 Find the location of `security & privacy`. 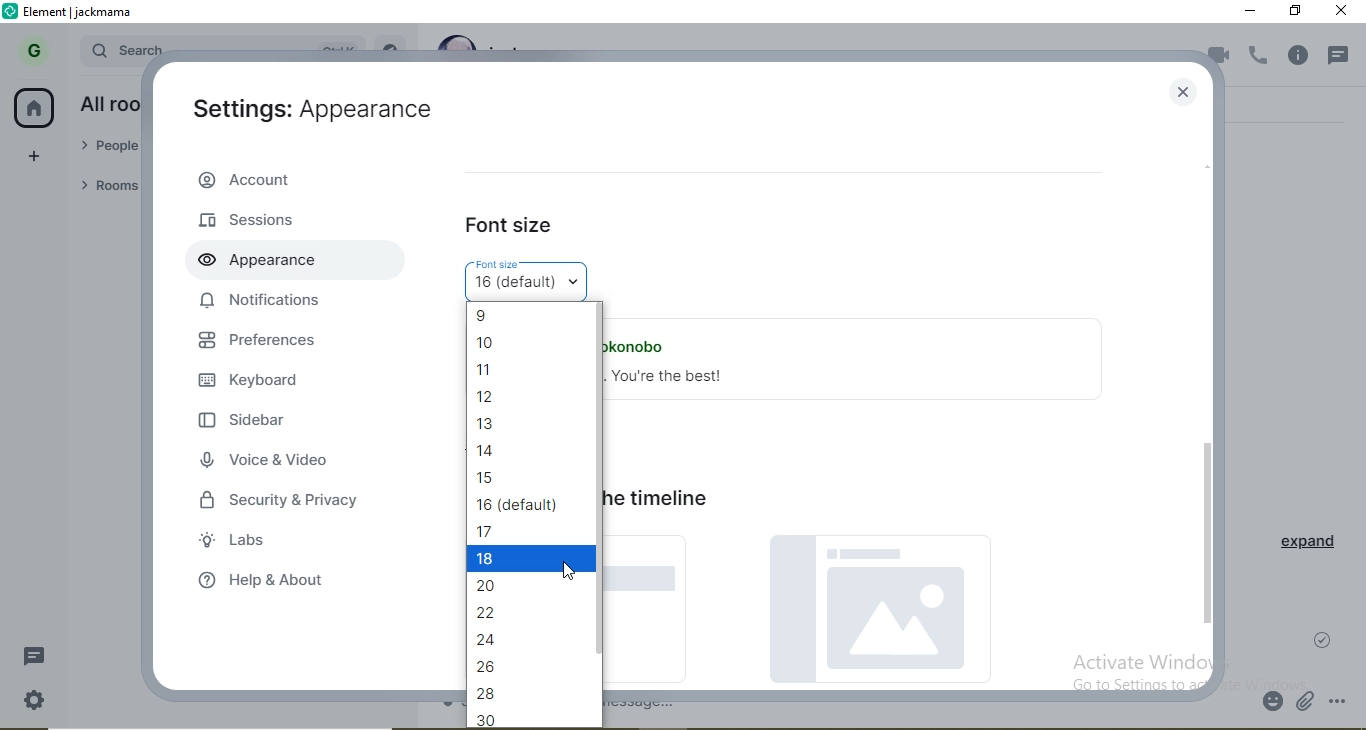

security & privacy is located at coordinates (286, 496).